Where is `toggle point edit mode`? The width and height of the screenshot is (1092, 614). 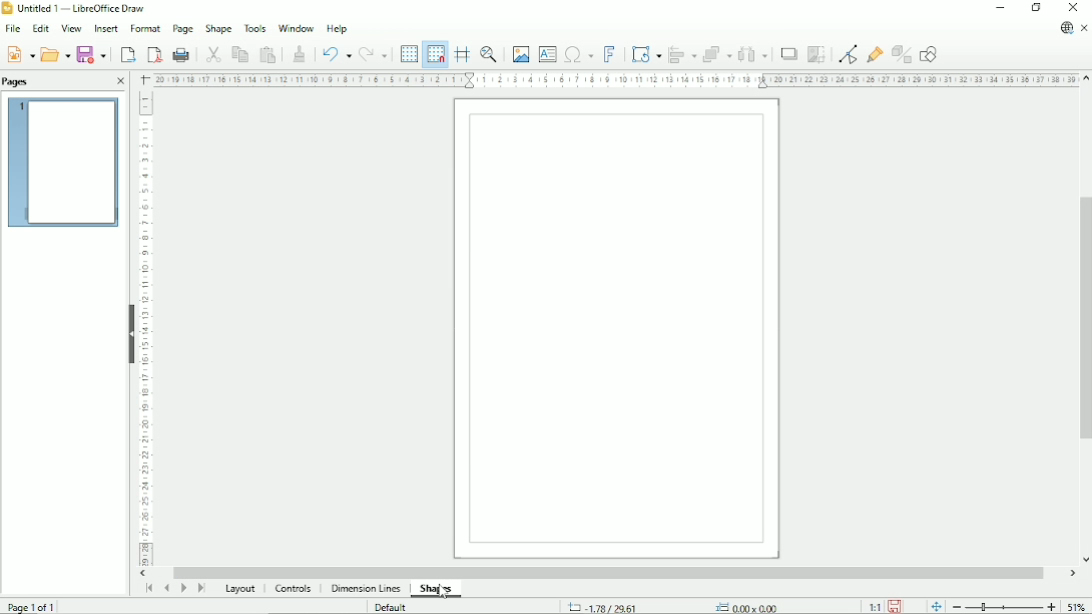 toggle point edit mode is located at coordinates (847, 54).